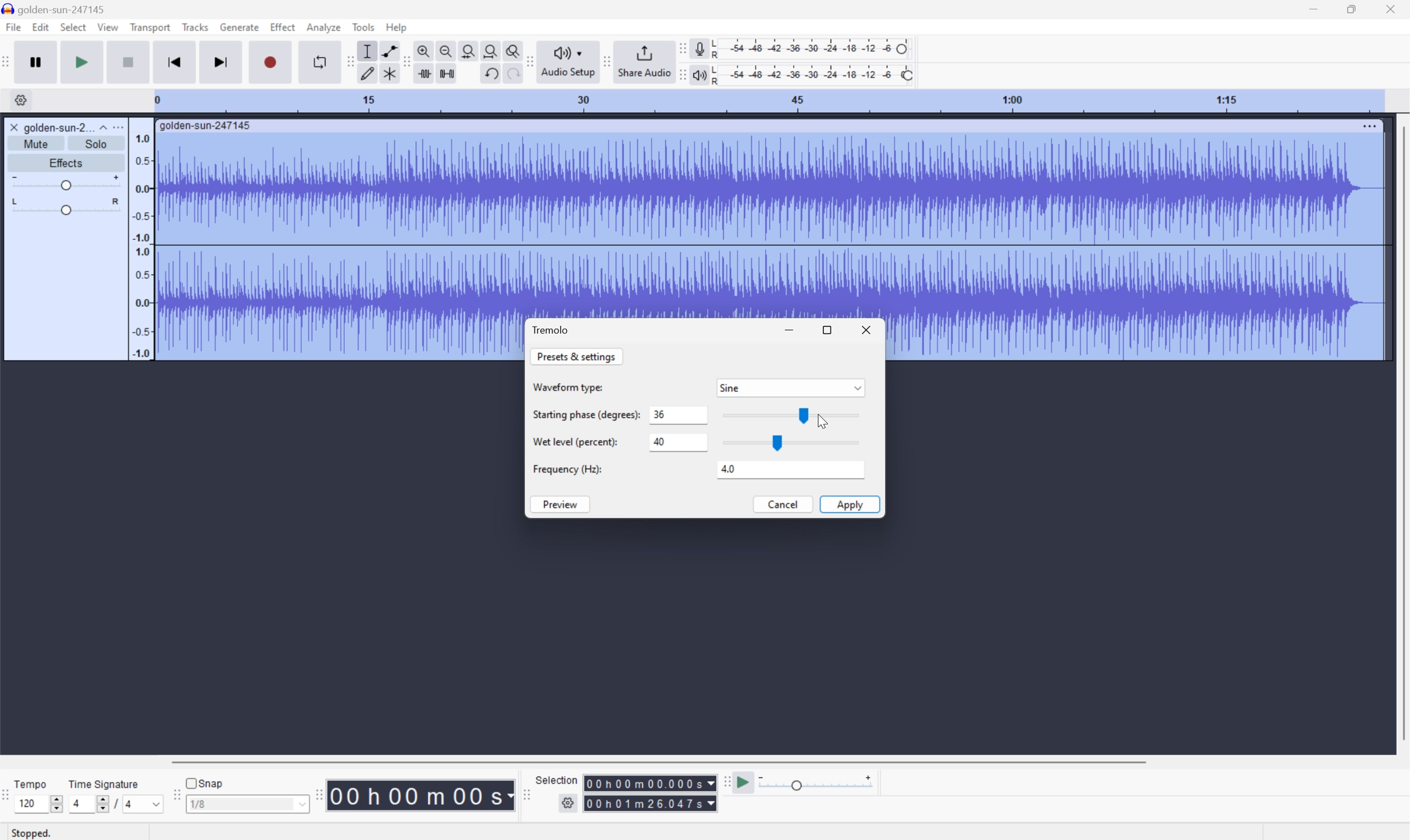 Image resolution: width=1410 pixels, height=840 pixels. What do you see at coordinates (569, 62) in the screenshot?
I see `Audio setup` at bounding box center [569, 62].